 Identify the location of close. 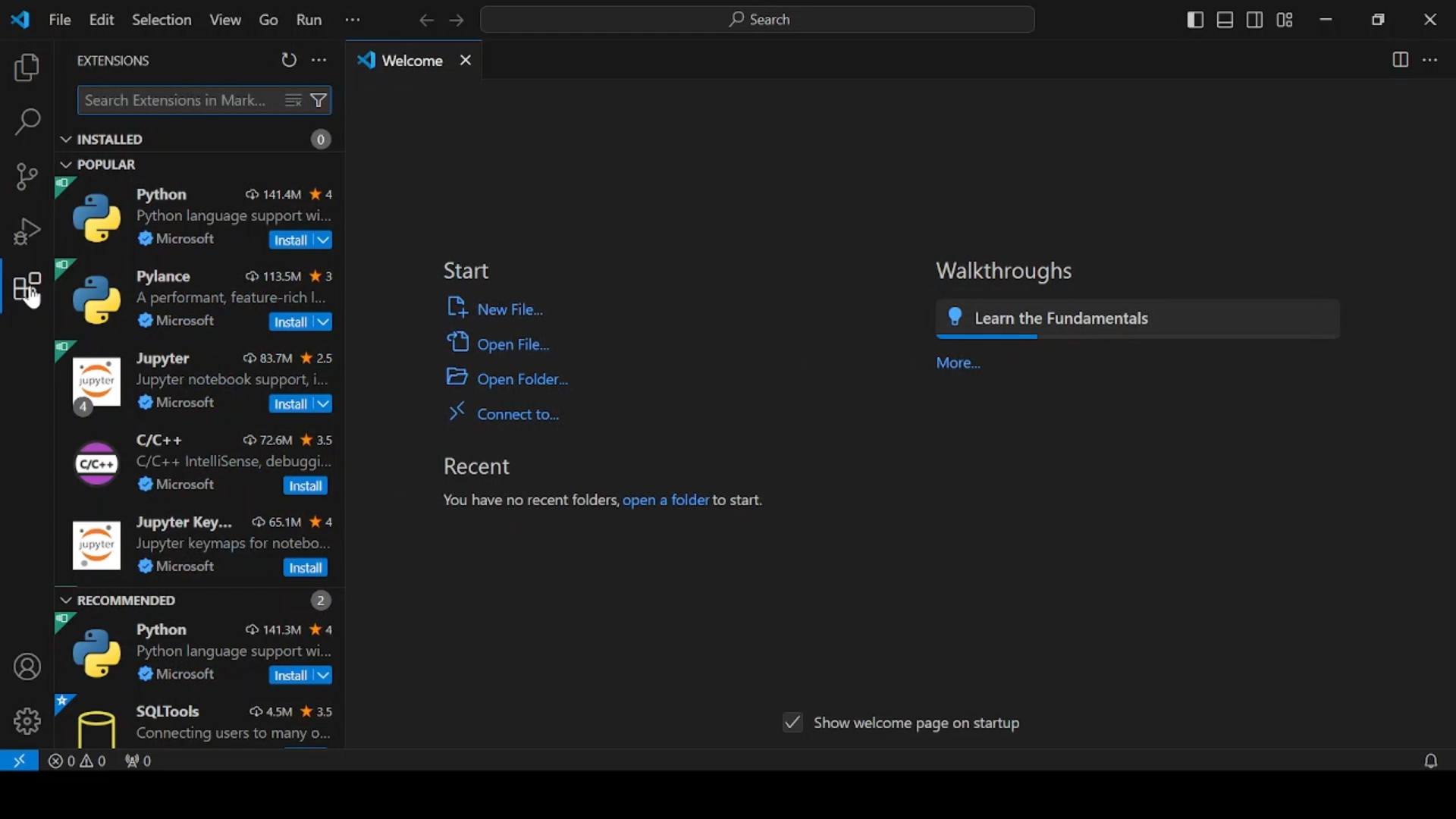
(1429, 20).